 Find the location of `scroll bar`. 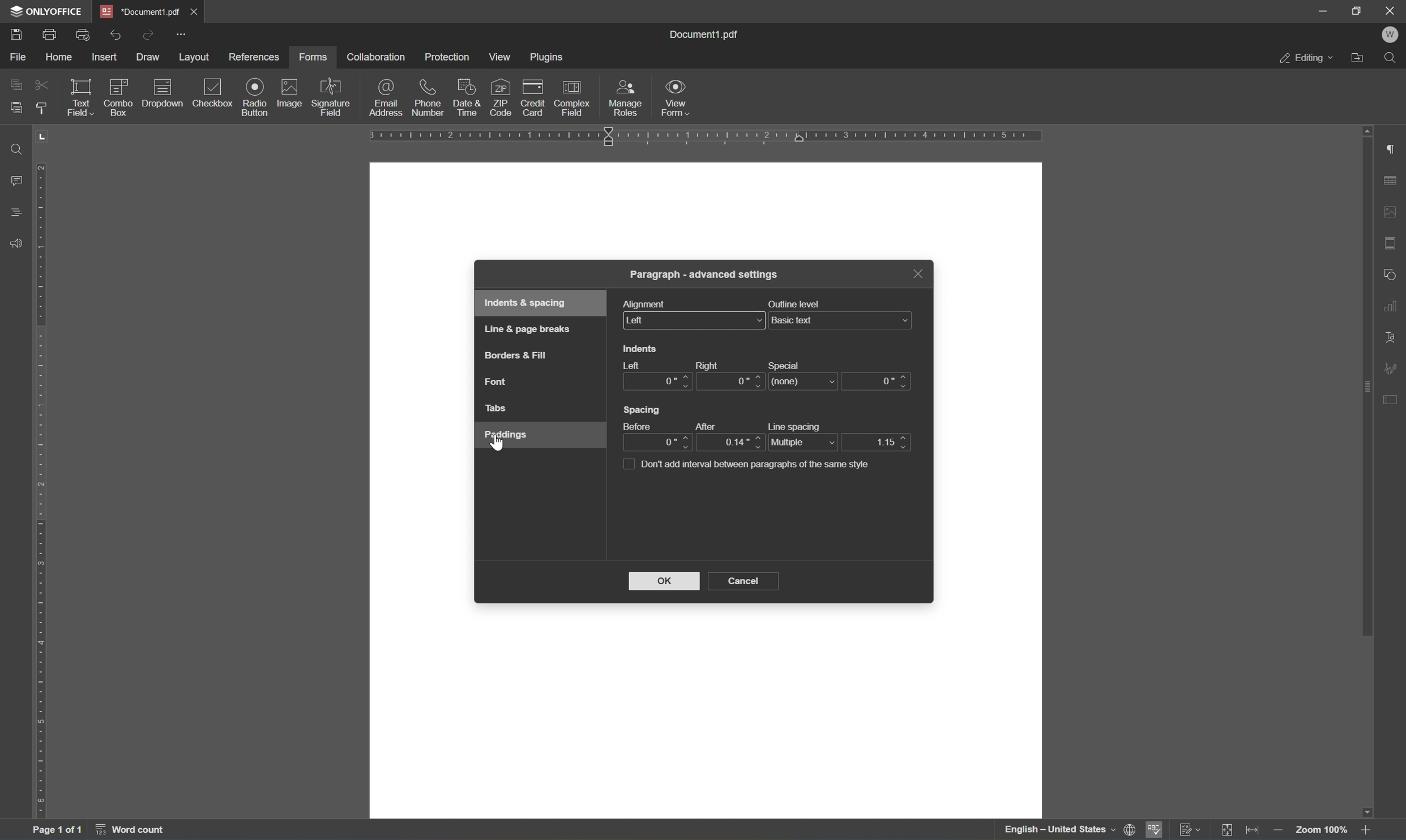

scroll bar is located at coordinates (1366, 381).